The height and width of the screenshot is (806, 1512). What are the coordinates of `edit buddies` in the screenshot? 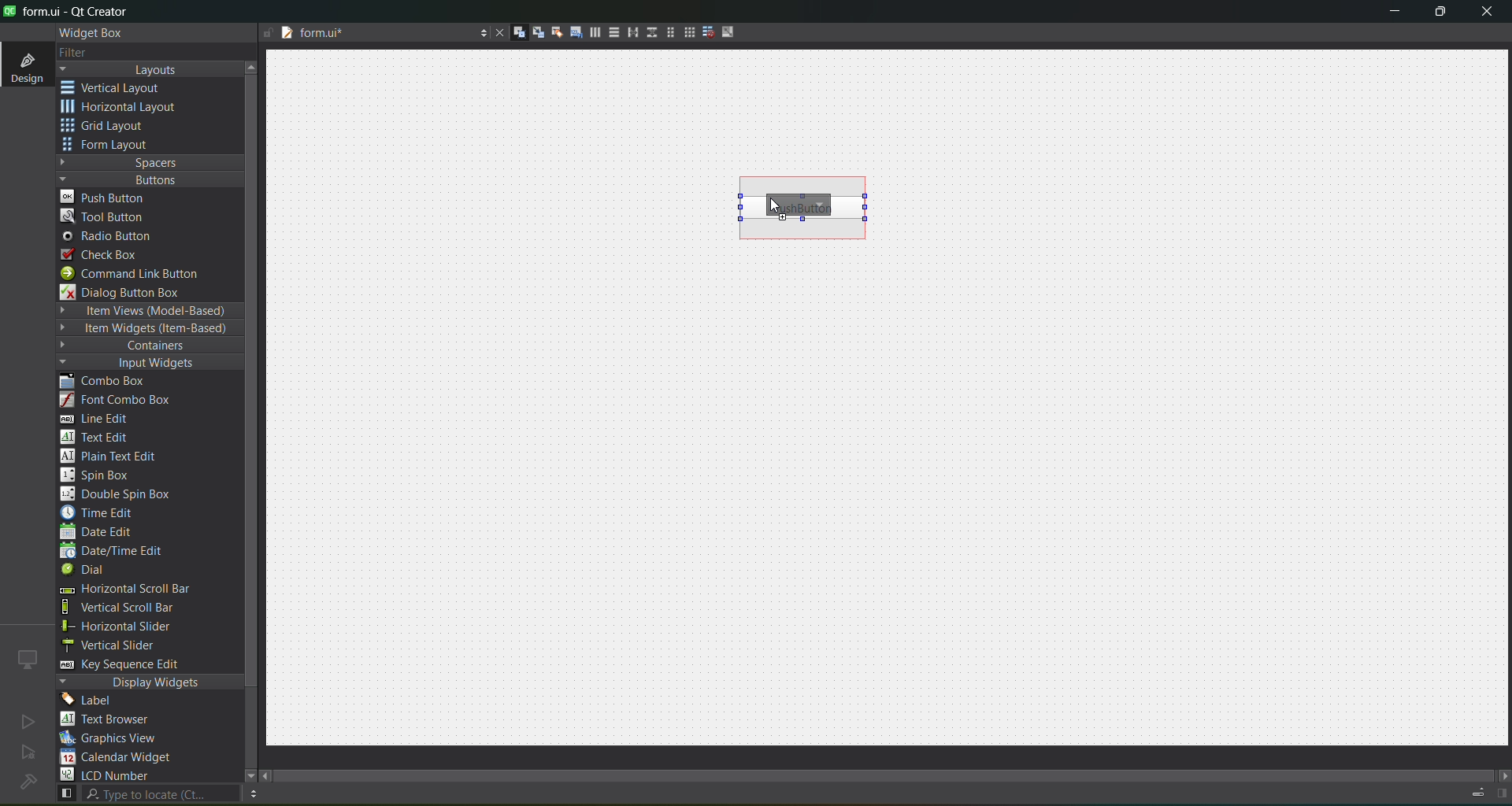 It's located at (551, 32).